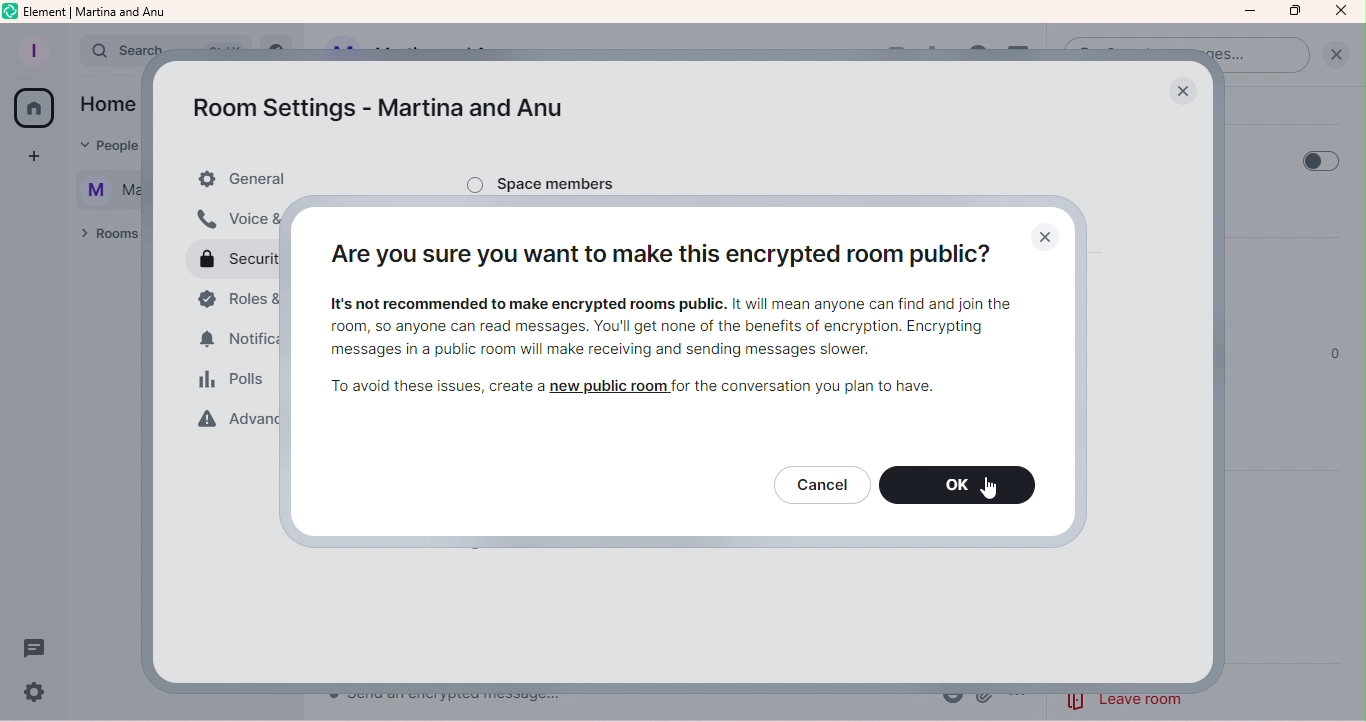 This screenshot has width=1366, height=722. Describe the element at coordinates (816, 485) in the screenshot. I see `Cancel` at that location.